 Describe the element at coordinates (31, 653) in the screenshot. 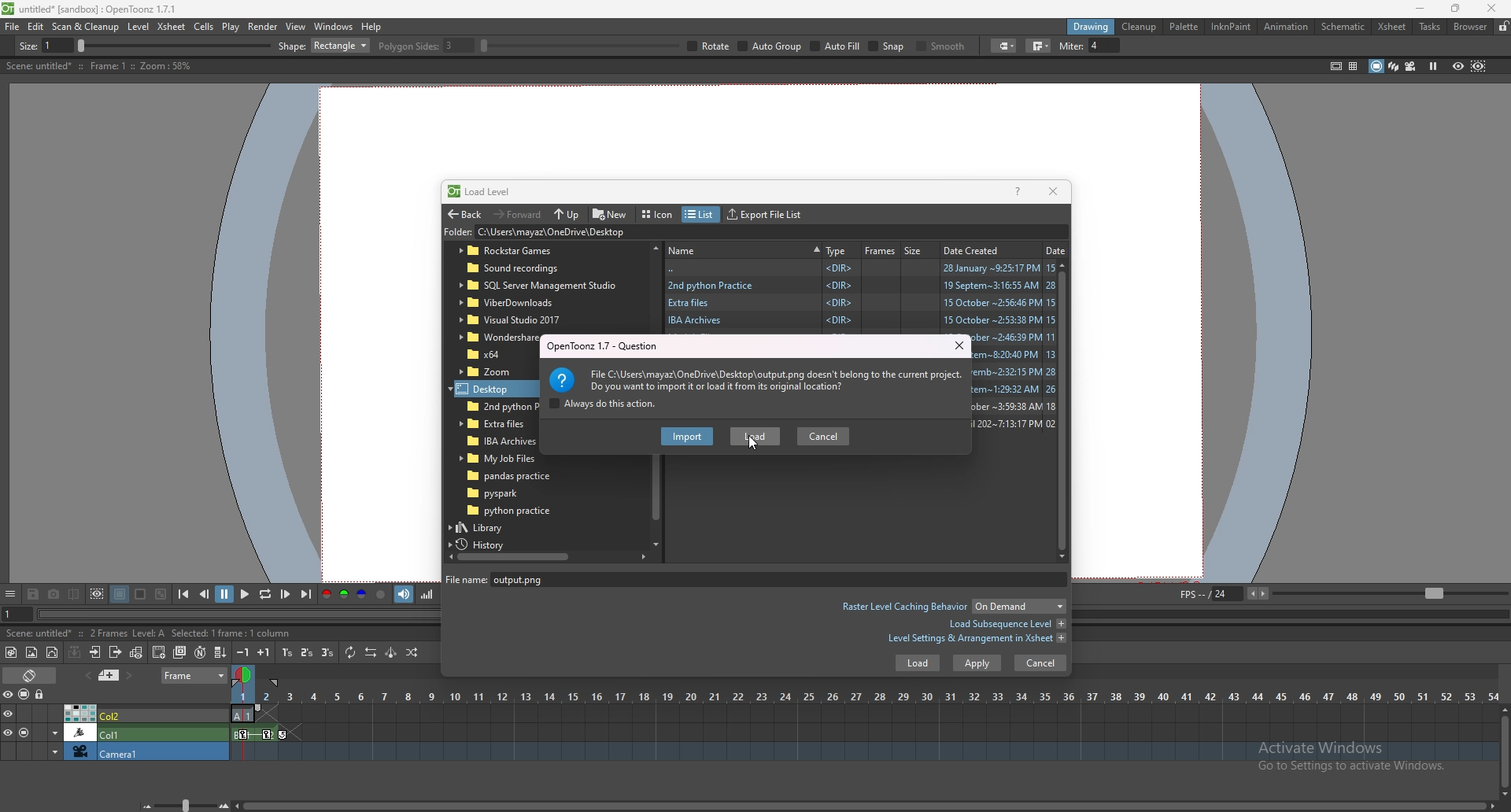

I see `new raster level` at that location.